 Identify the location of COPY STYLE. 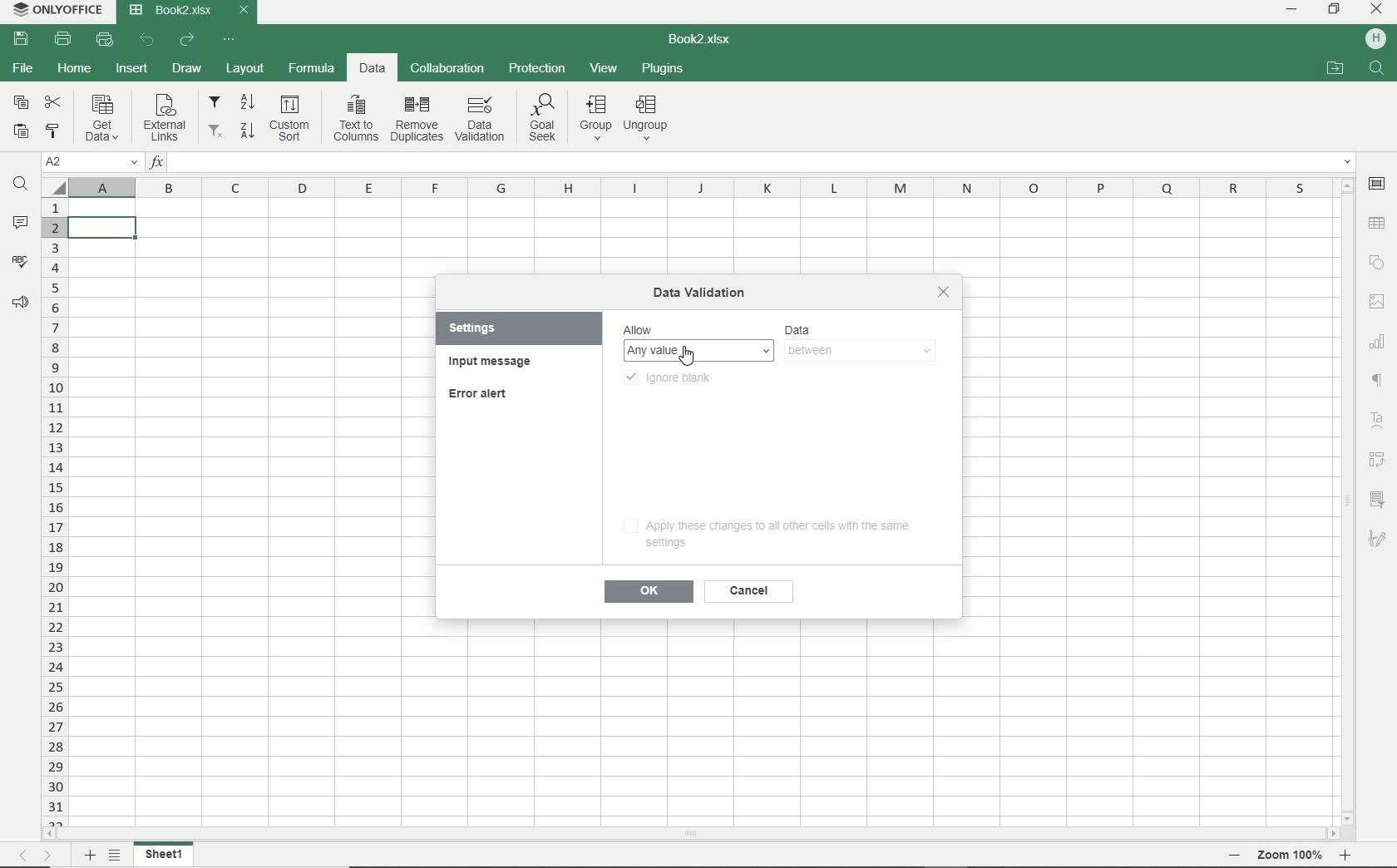
(54, 132).